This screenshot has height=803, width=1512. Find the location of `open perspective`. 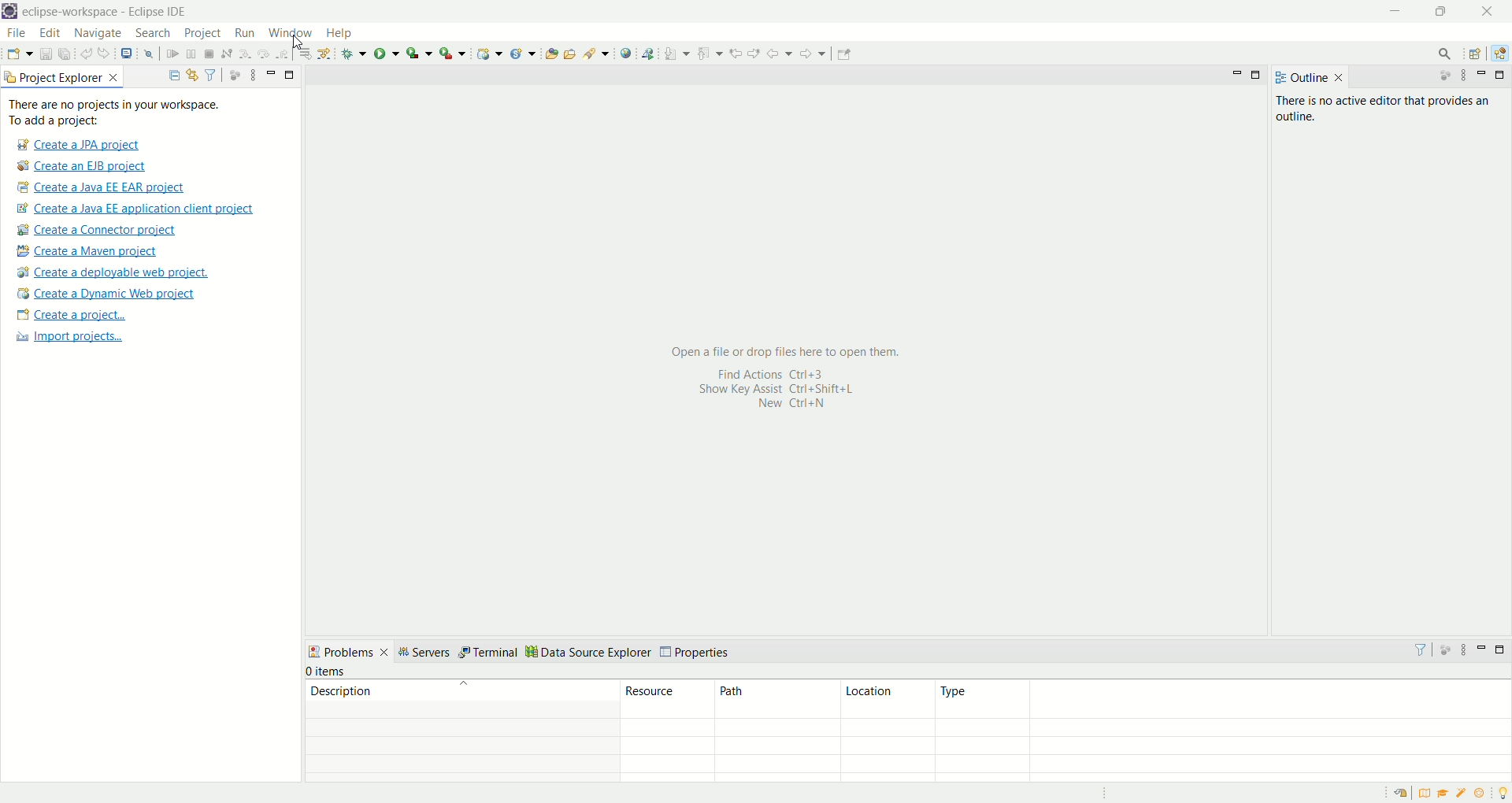

open perspective is located at coordinates (1477, 55).